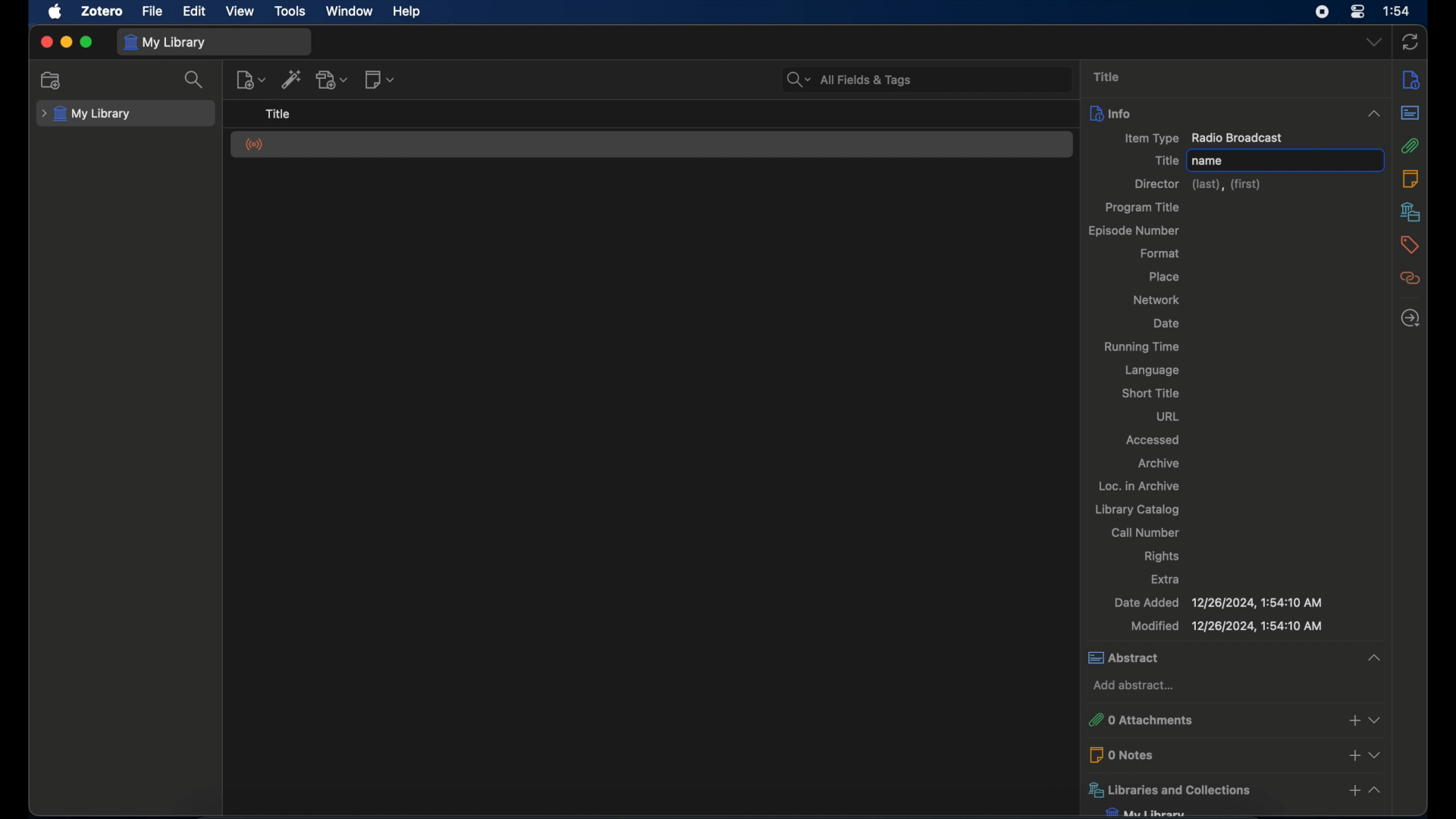 Image resolution: width=1456 pixels, height=819 pixels. I want to click on director (last),(first), so click(1200, 185).